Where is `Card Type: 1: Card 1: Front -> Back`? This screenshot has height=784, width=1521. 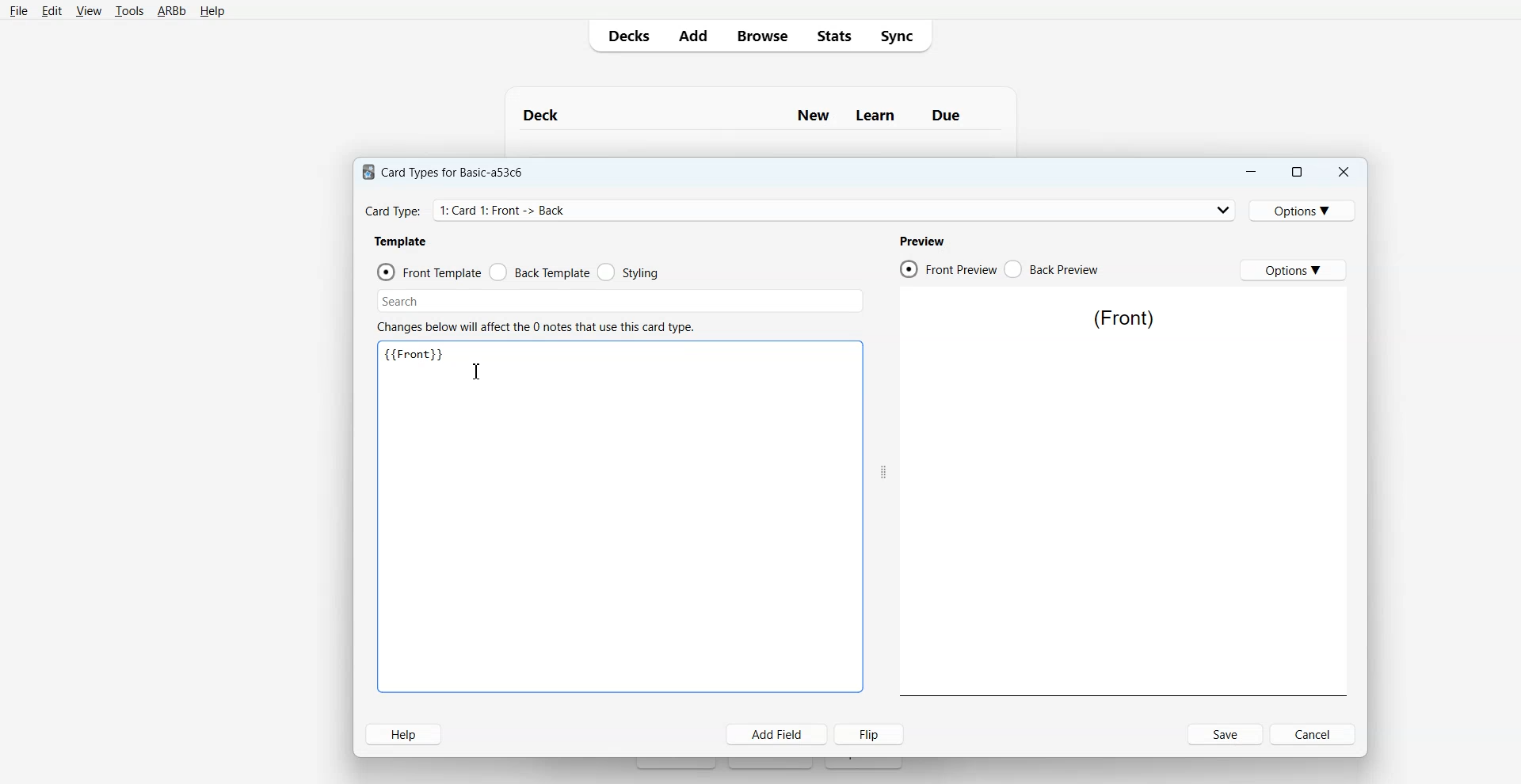
Card Type: 1: Card 1: Front -> Back is located at coordinates (509, 210).